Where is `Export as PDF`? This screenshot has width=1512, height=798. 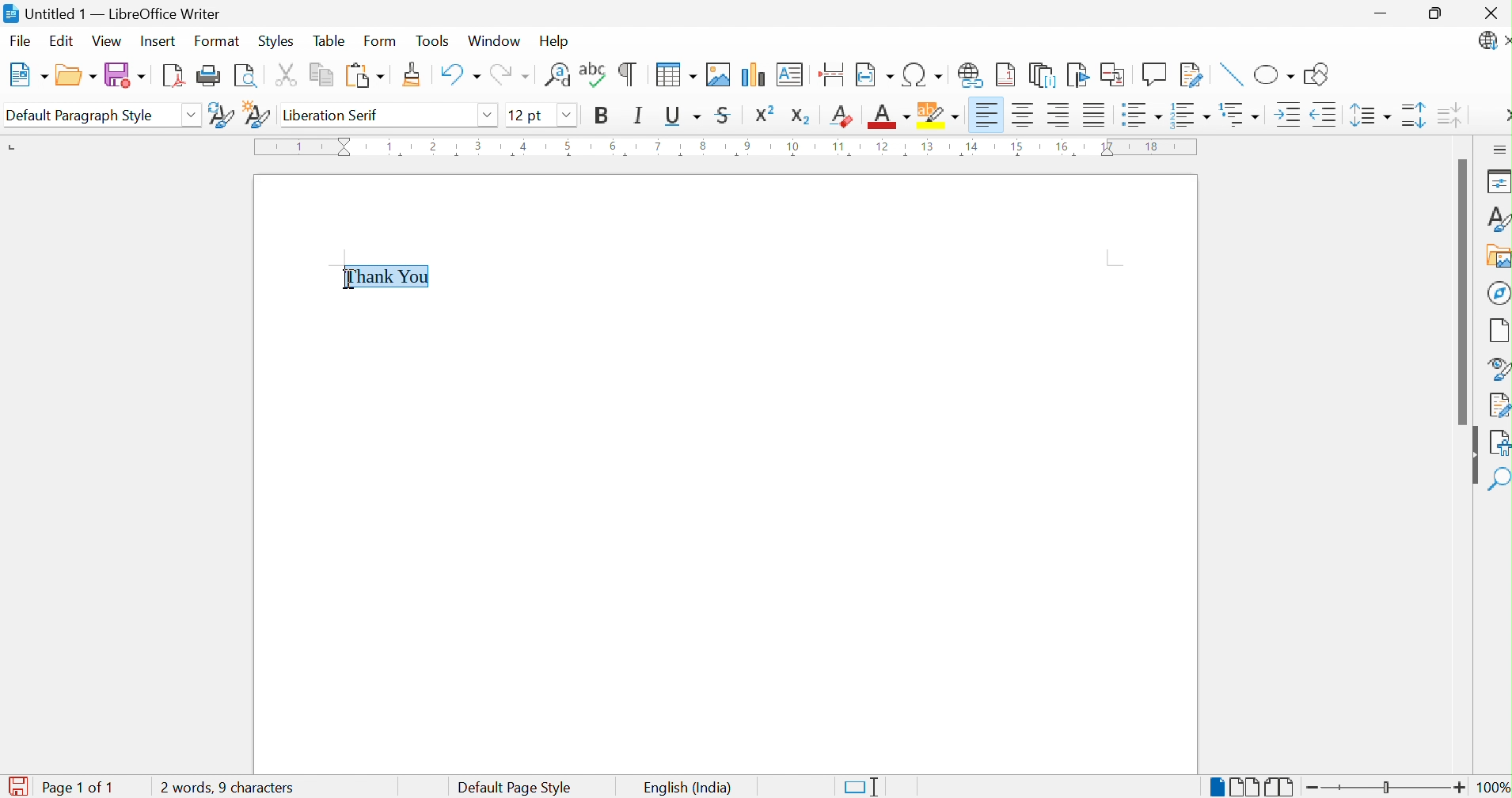 Export as PDF is located at coordinates (173, 76).